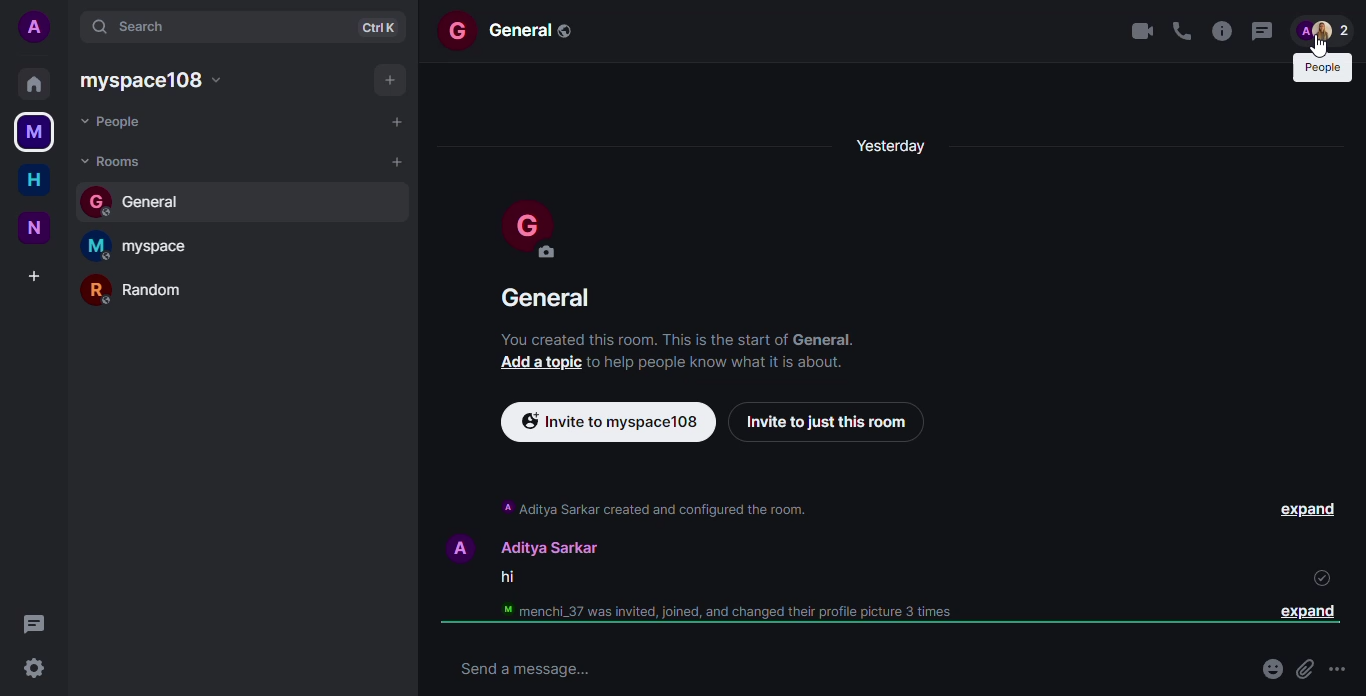  What do you see at coordinates (384, 24) in the screenshot?
I see `ctrl+k` at bounding box center [384, 24].